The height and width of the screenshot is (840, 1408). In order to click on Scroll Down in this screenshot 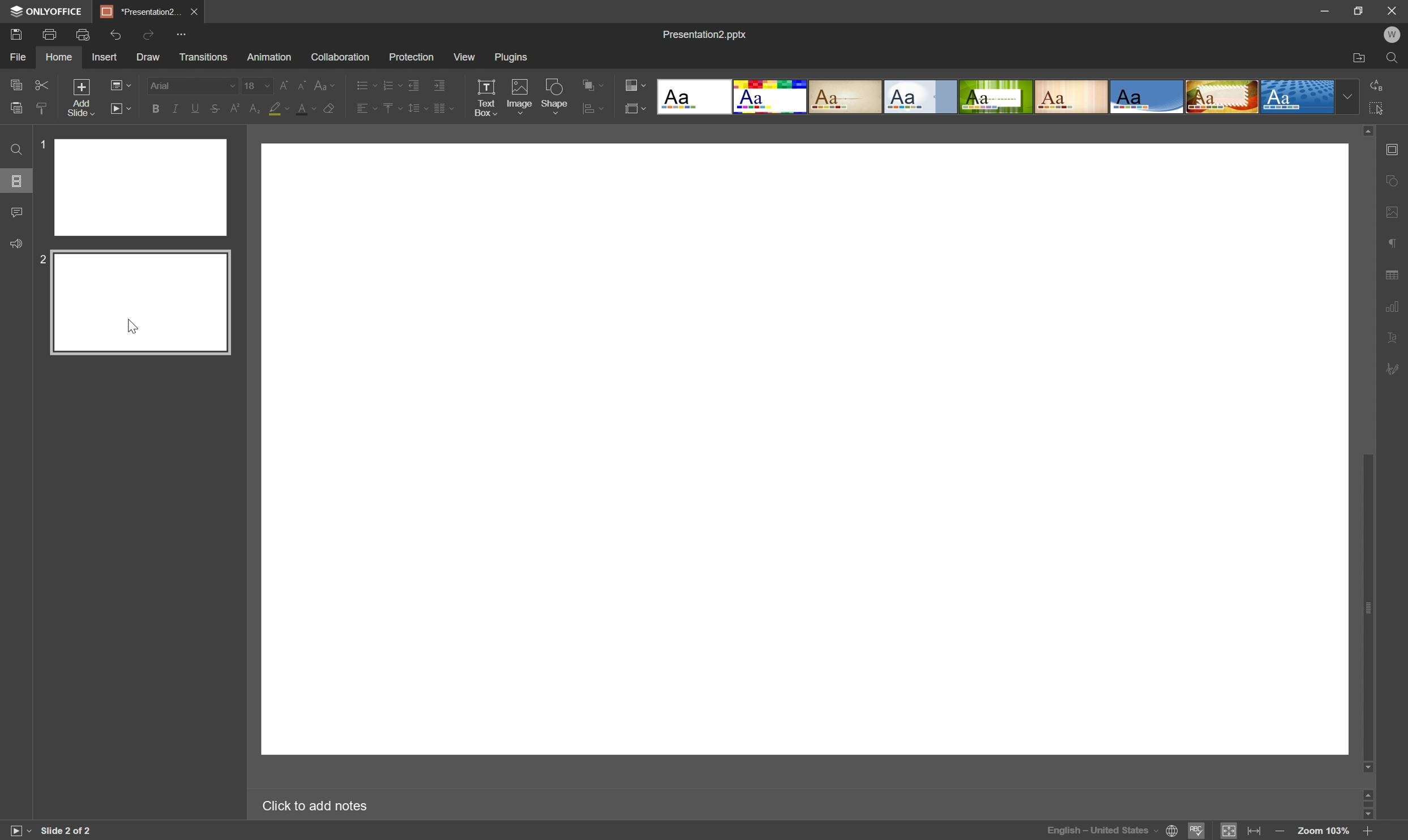, I will do `click(1364, 811)`.